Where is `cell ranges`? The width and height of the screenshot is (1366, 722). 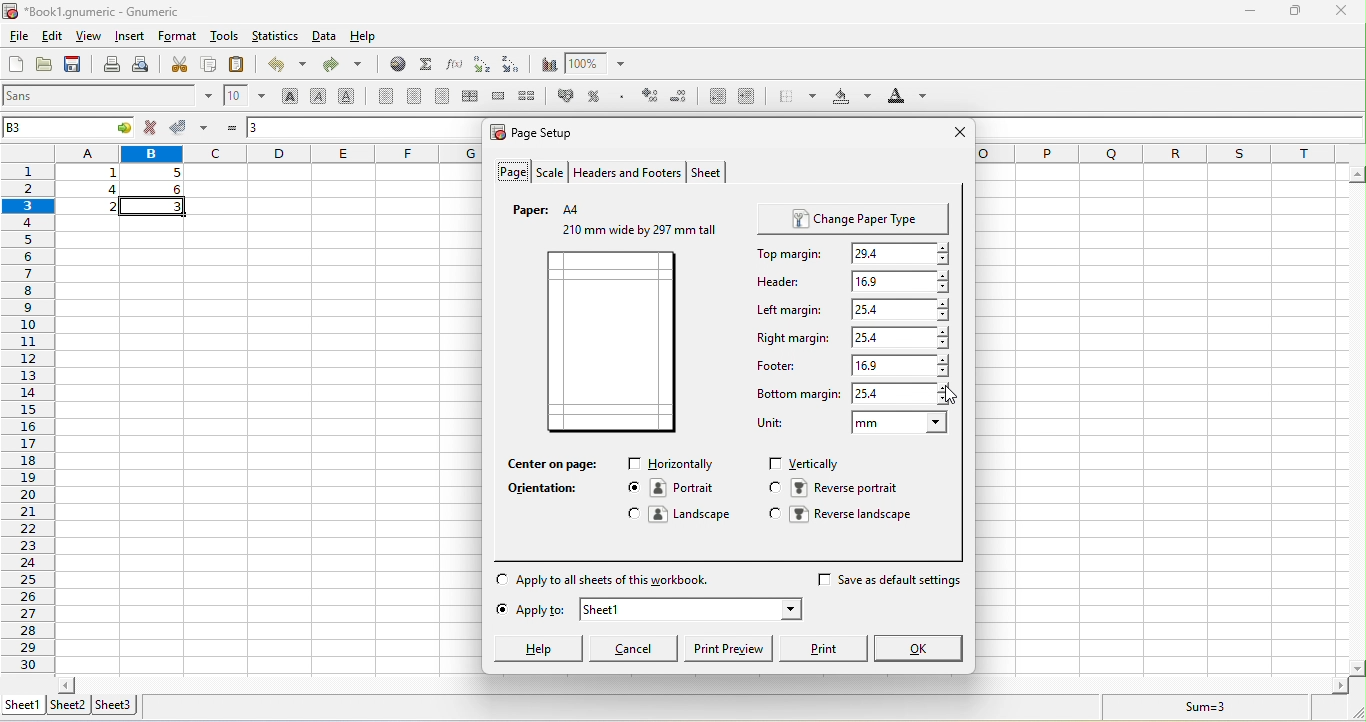 cell ranges is located at coordinates (129, 190).